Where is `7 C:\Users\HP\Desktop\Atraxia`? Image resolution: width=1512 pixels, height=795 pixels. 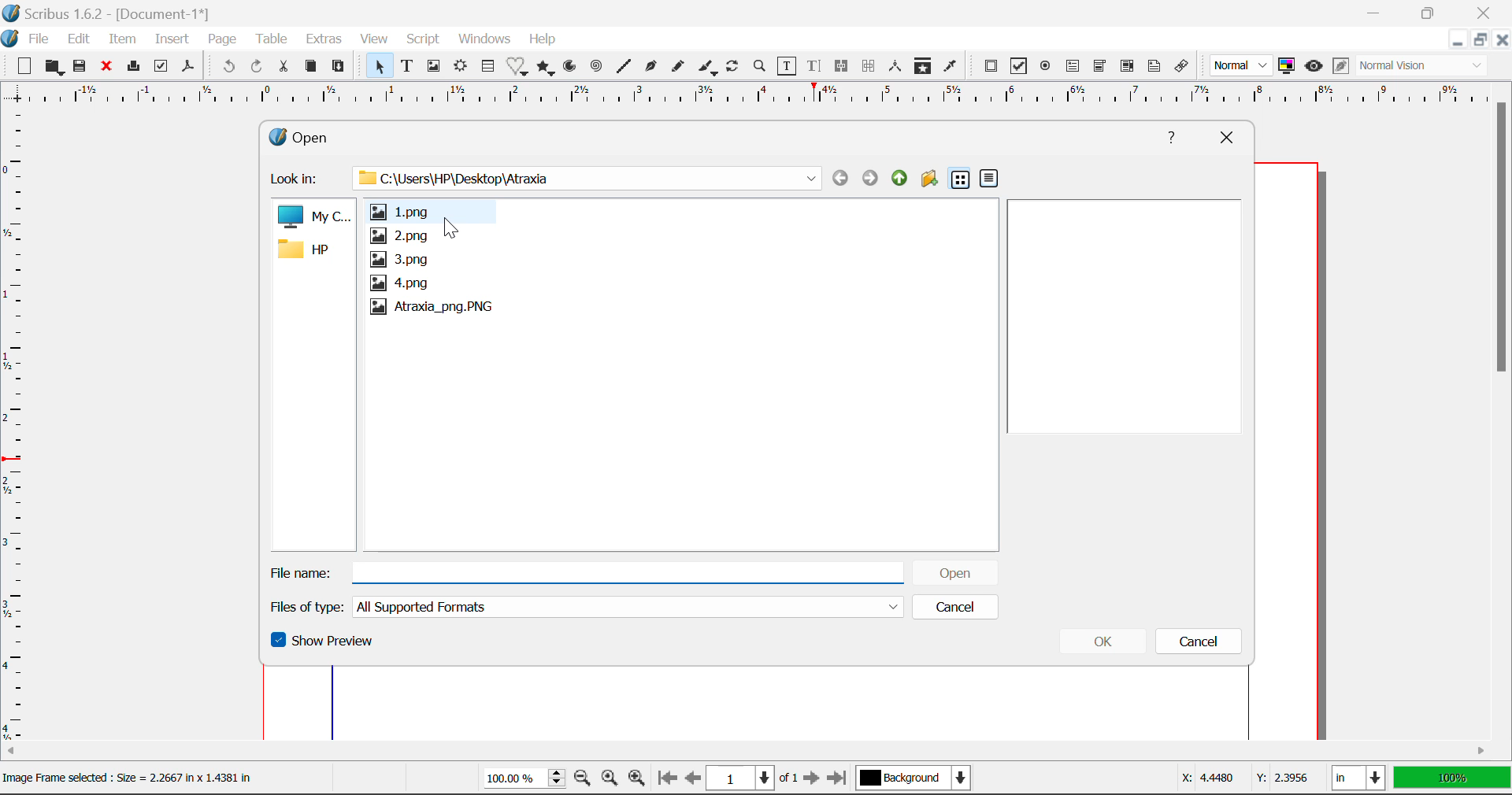 7 C:\Users\HP\Desktop\Atraxia is located at coordinates (578, 177).